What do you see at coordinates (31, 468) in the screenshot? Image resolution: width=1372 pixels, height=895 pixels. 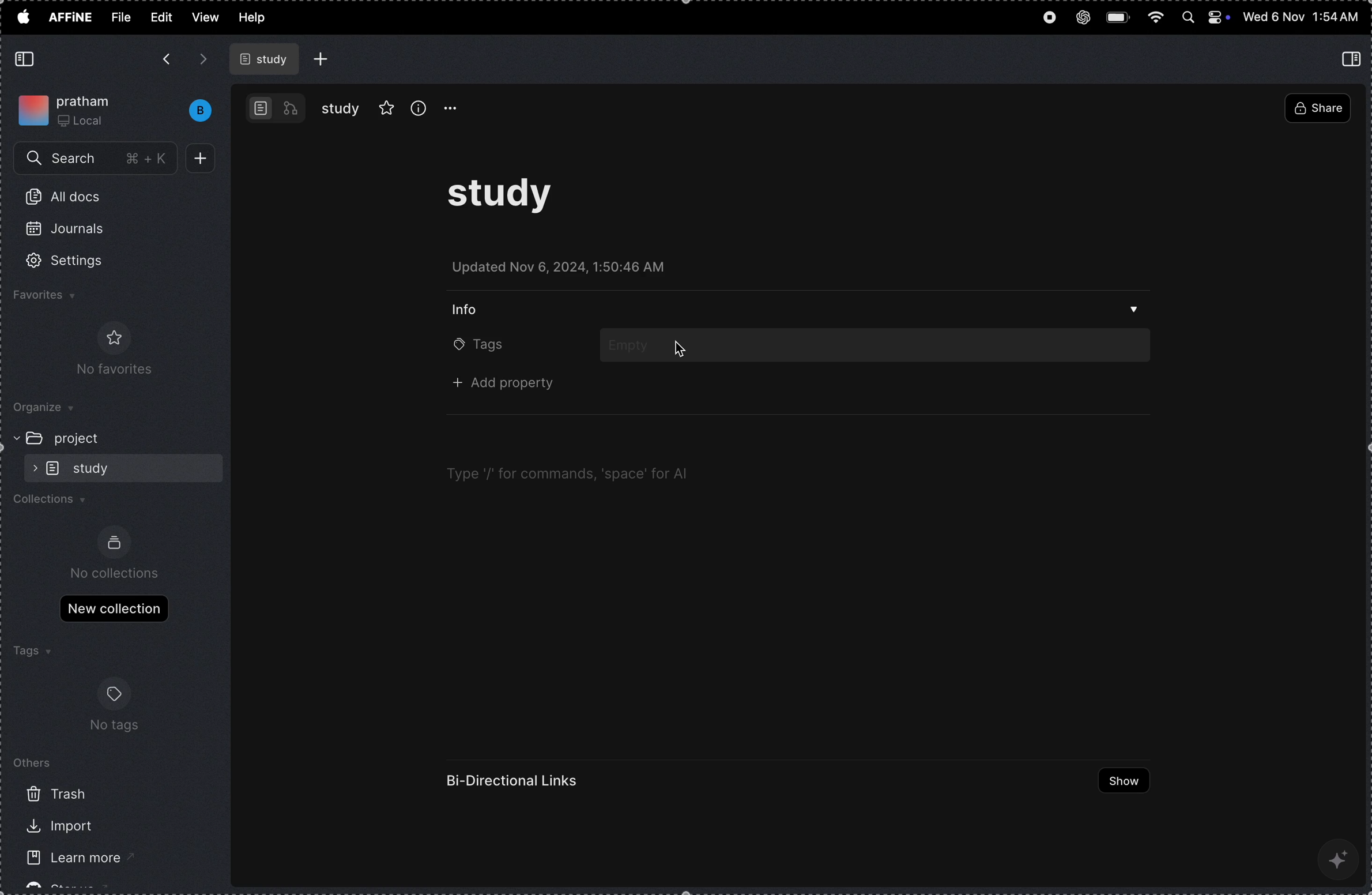 I see `expand/collapse` at bounding box center [31, 468].